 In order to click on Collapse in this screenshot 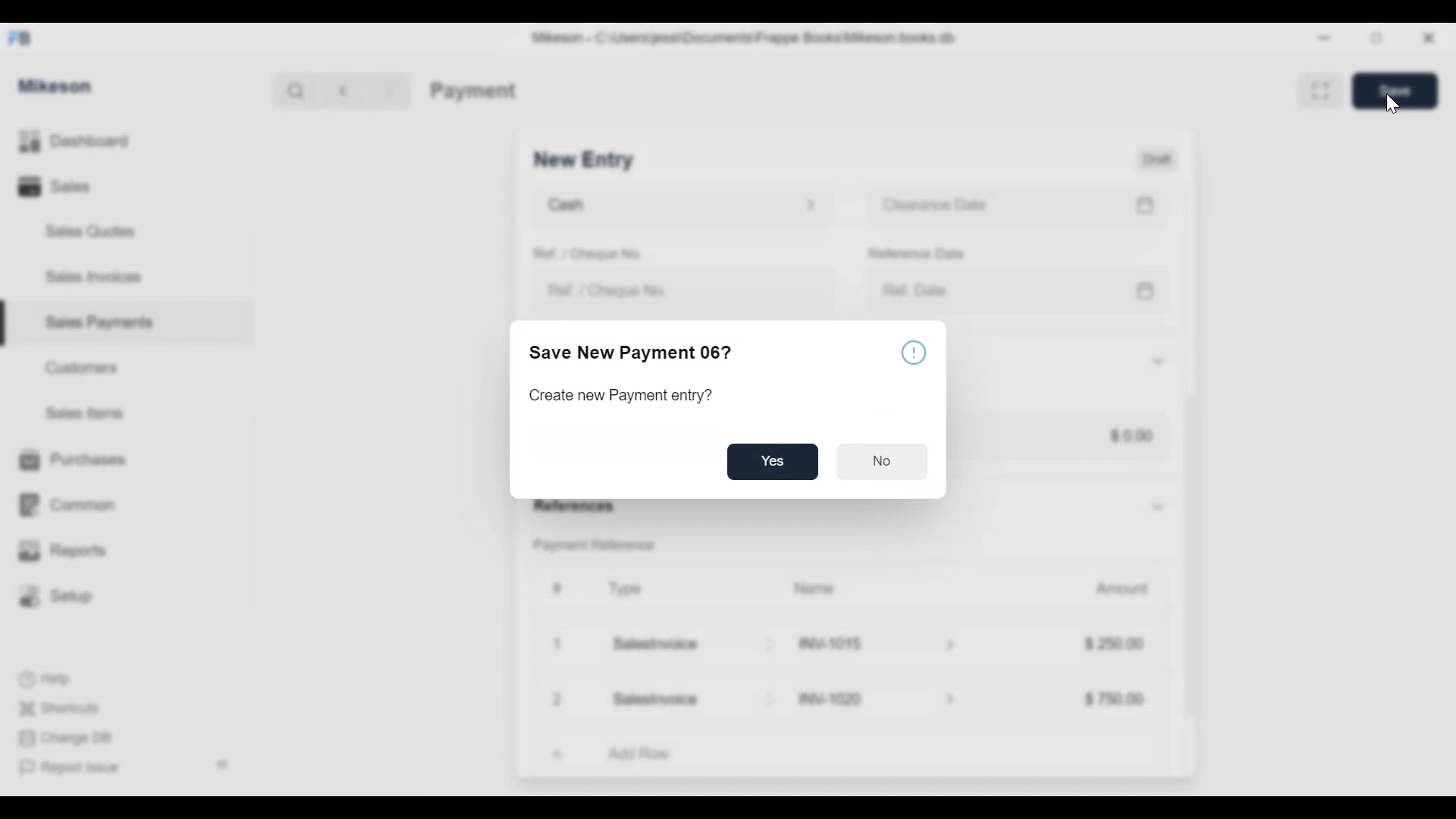, I will do `click(226, 766)`.